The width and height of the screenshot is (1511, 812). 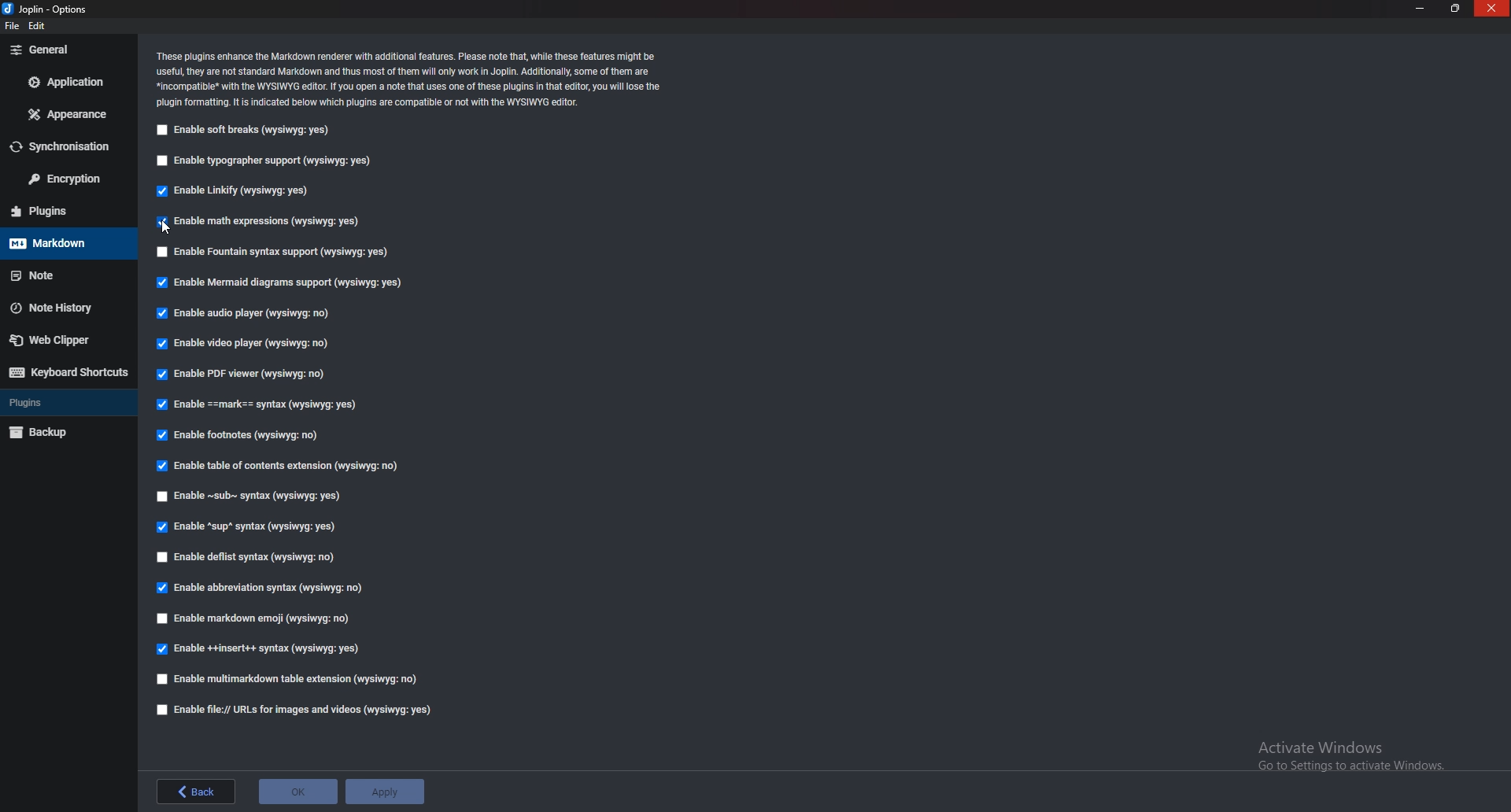 What do you see at coordinates (39, 27) in the screenshot?
I see `edit` at bounding box center [39, 27].